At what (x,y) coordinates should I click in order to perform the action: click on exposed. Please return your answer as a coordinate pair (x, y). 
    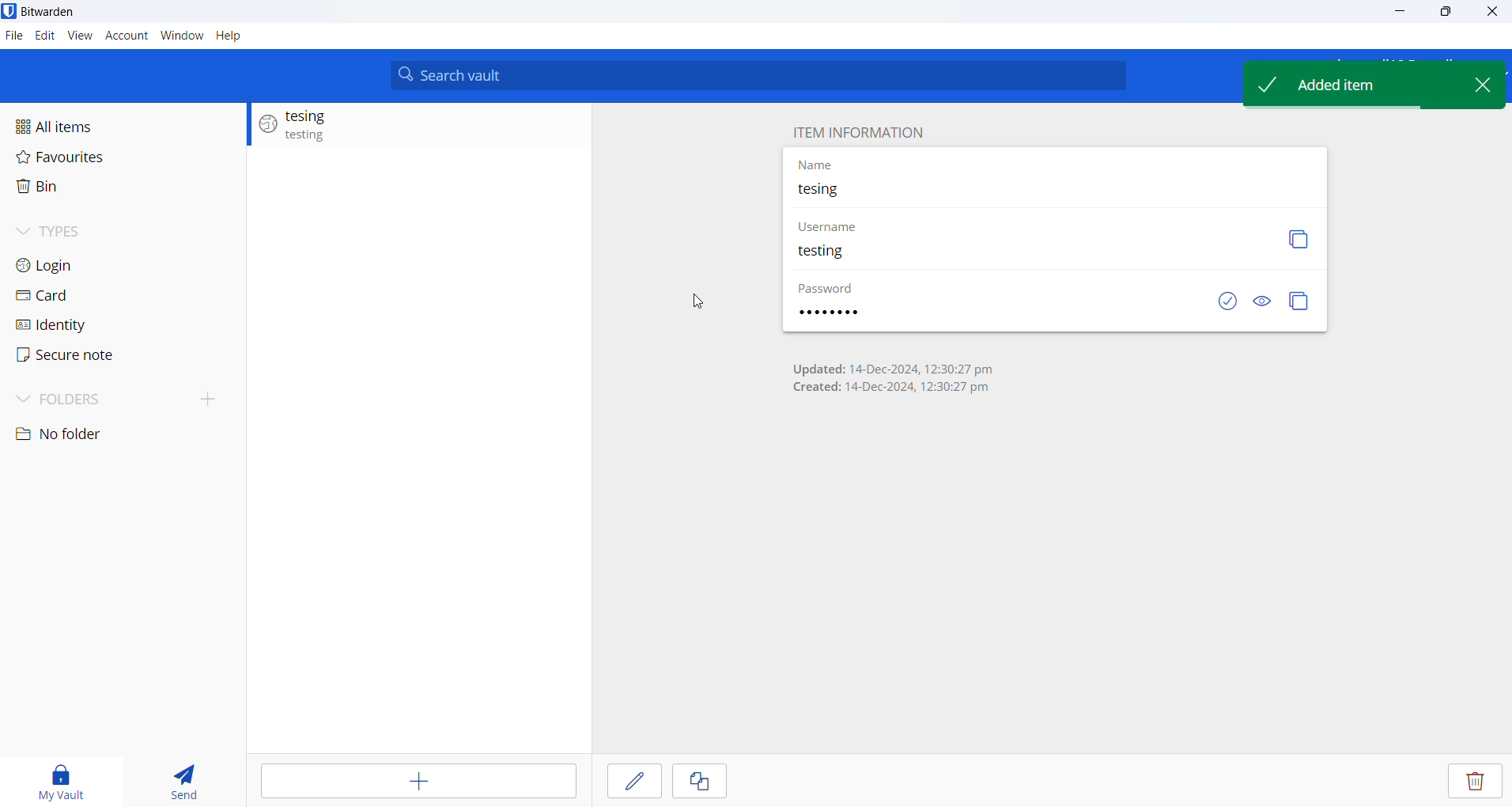
    Looking at the image, I should click on (1220, 305).